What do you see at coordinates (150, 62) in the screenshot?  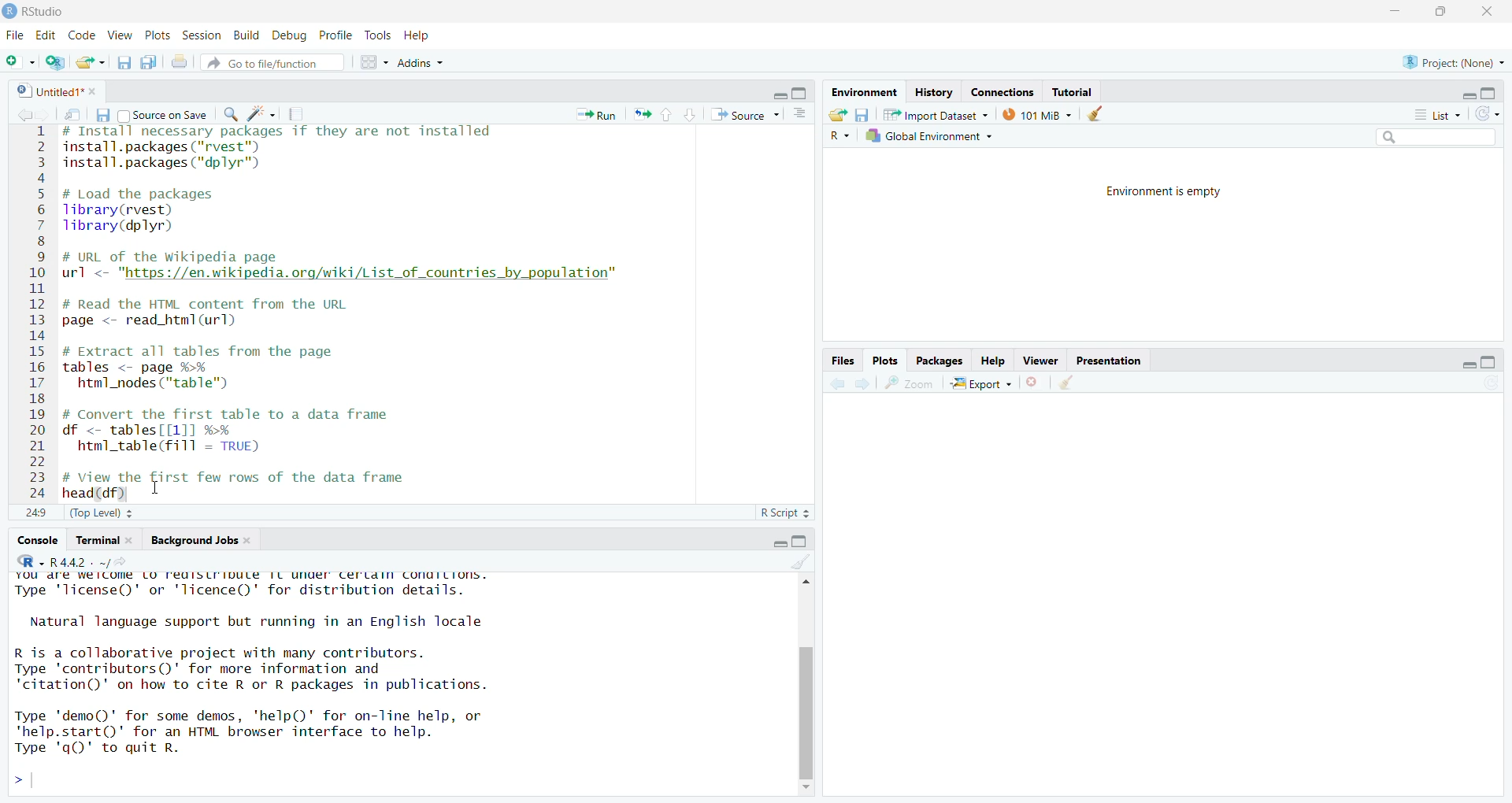 I see `save all` at bounding box center [150, 62].